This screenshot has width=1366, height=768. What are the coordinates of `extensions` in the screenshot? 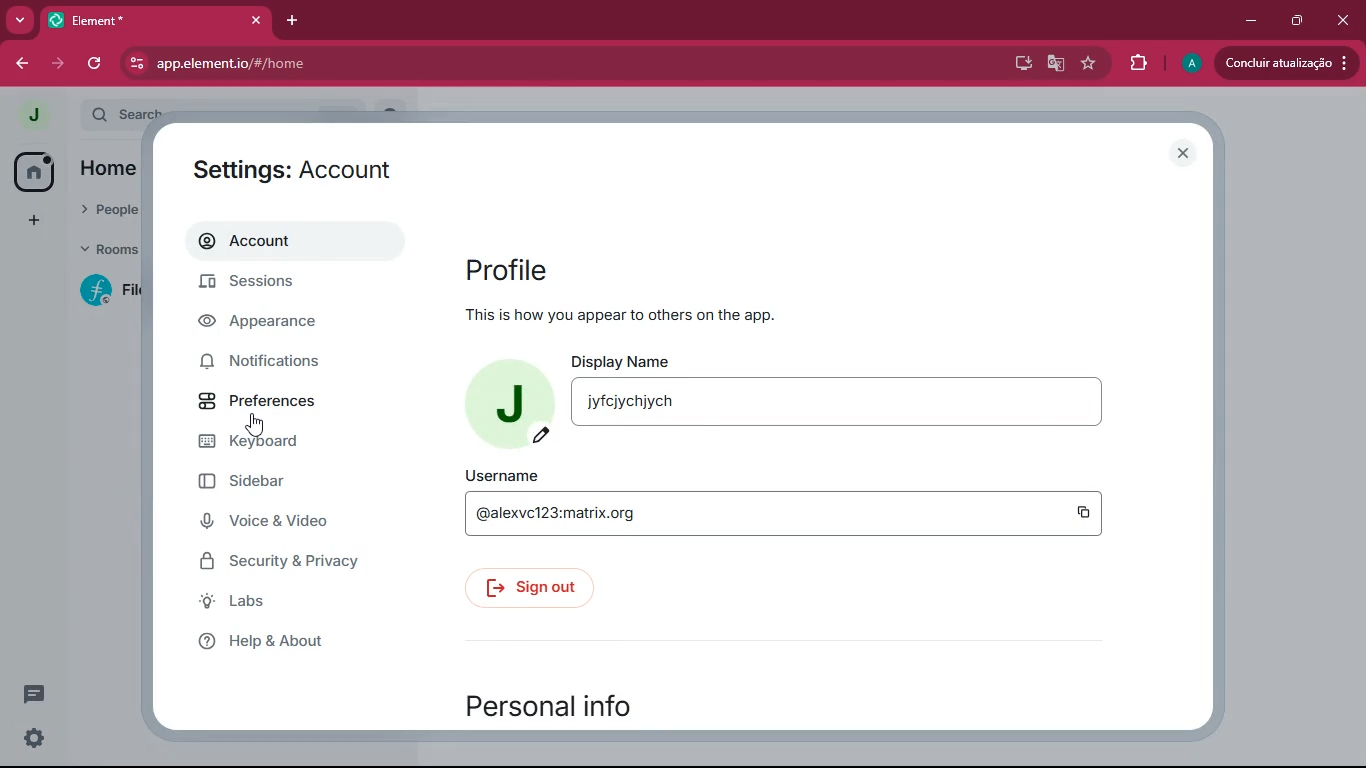 It's located at (1139, 64).